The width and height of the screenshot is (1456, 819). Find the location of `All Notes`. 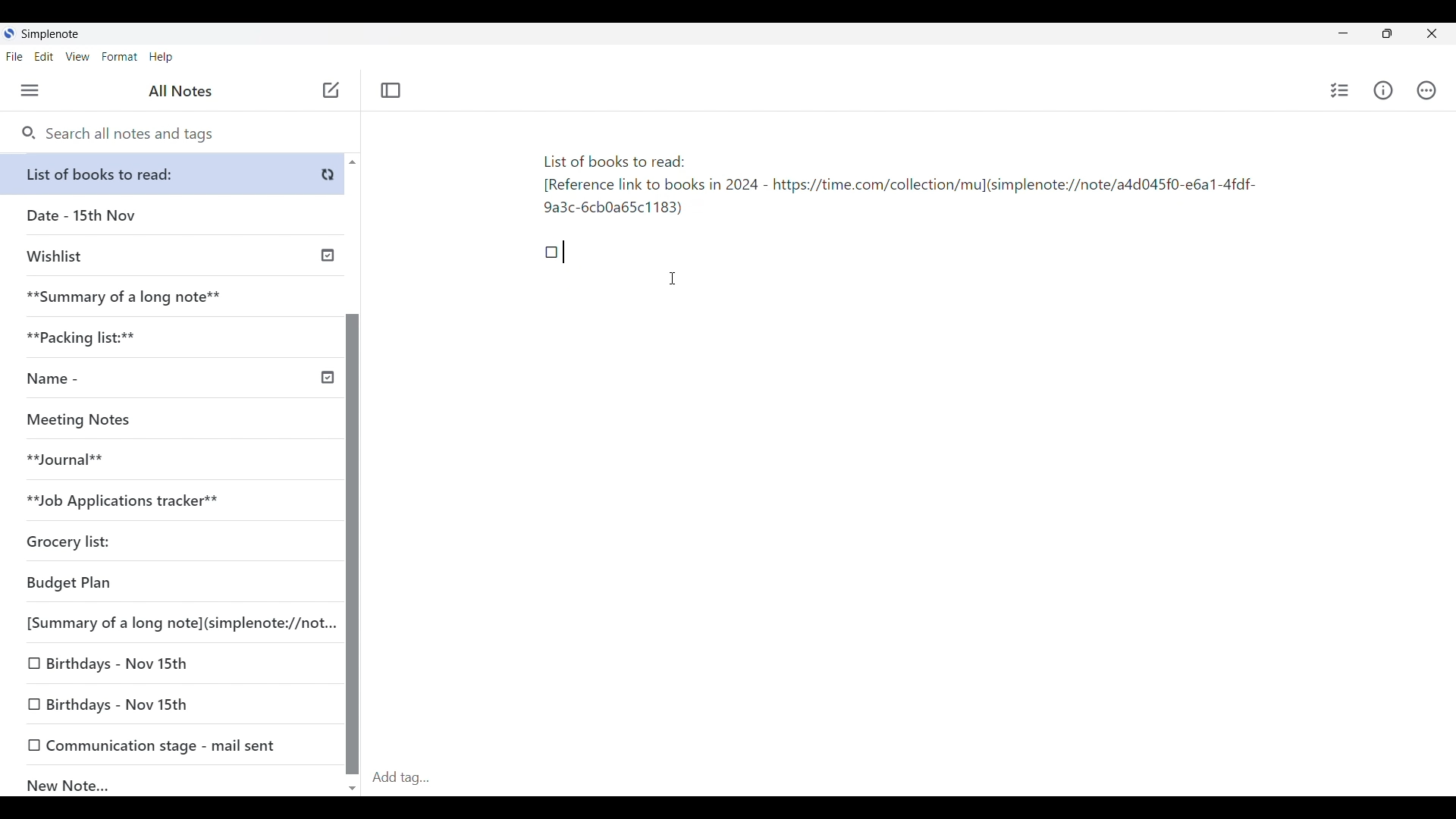

All Notes is located at coordinates (178, 91).